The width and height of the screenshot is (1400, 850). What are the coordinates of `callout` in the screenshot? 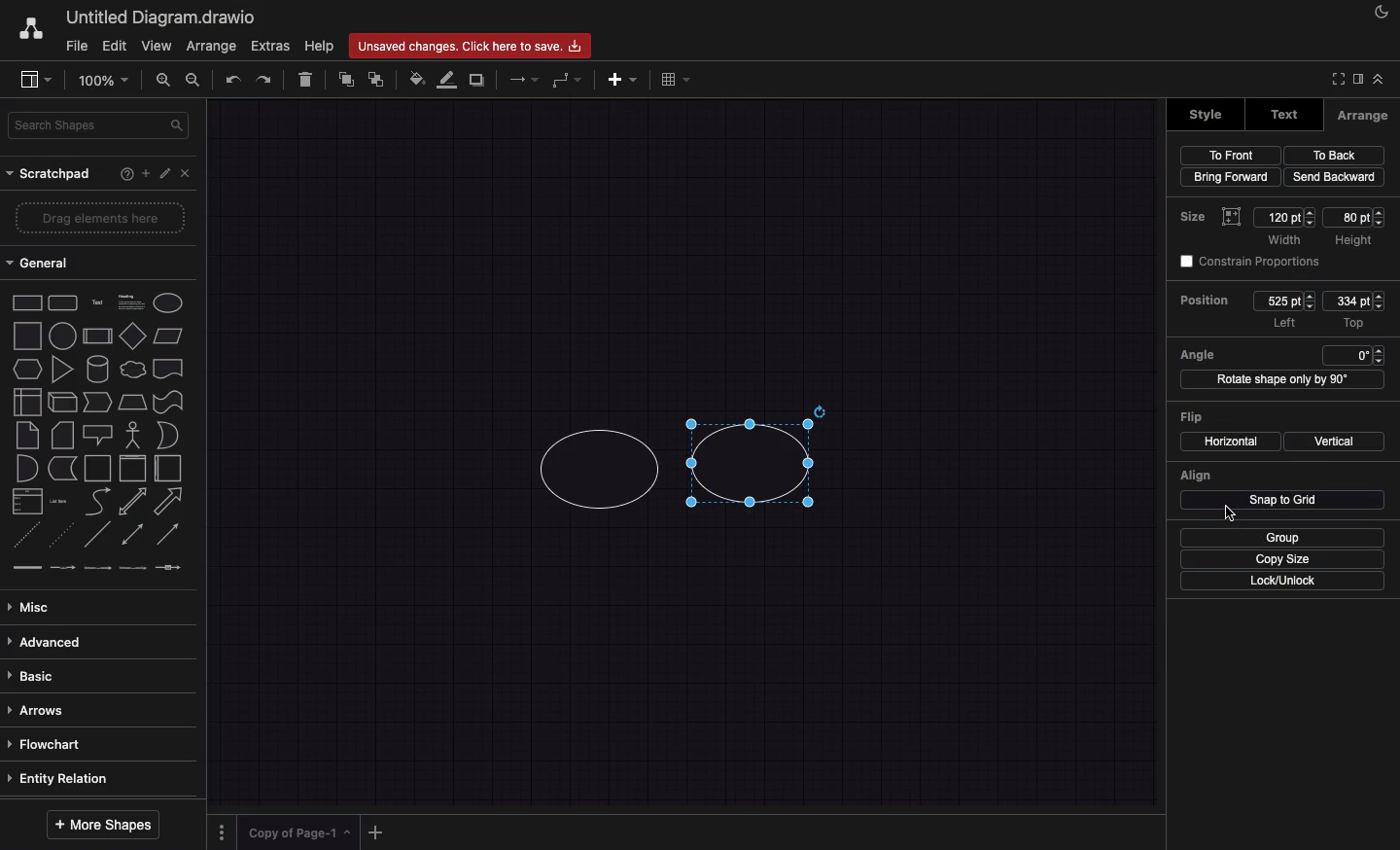 It's located at (99, 436).